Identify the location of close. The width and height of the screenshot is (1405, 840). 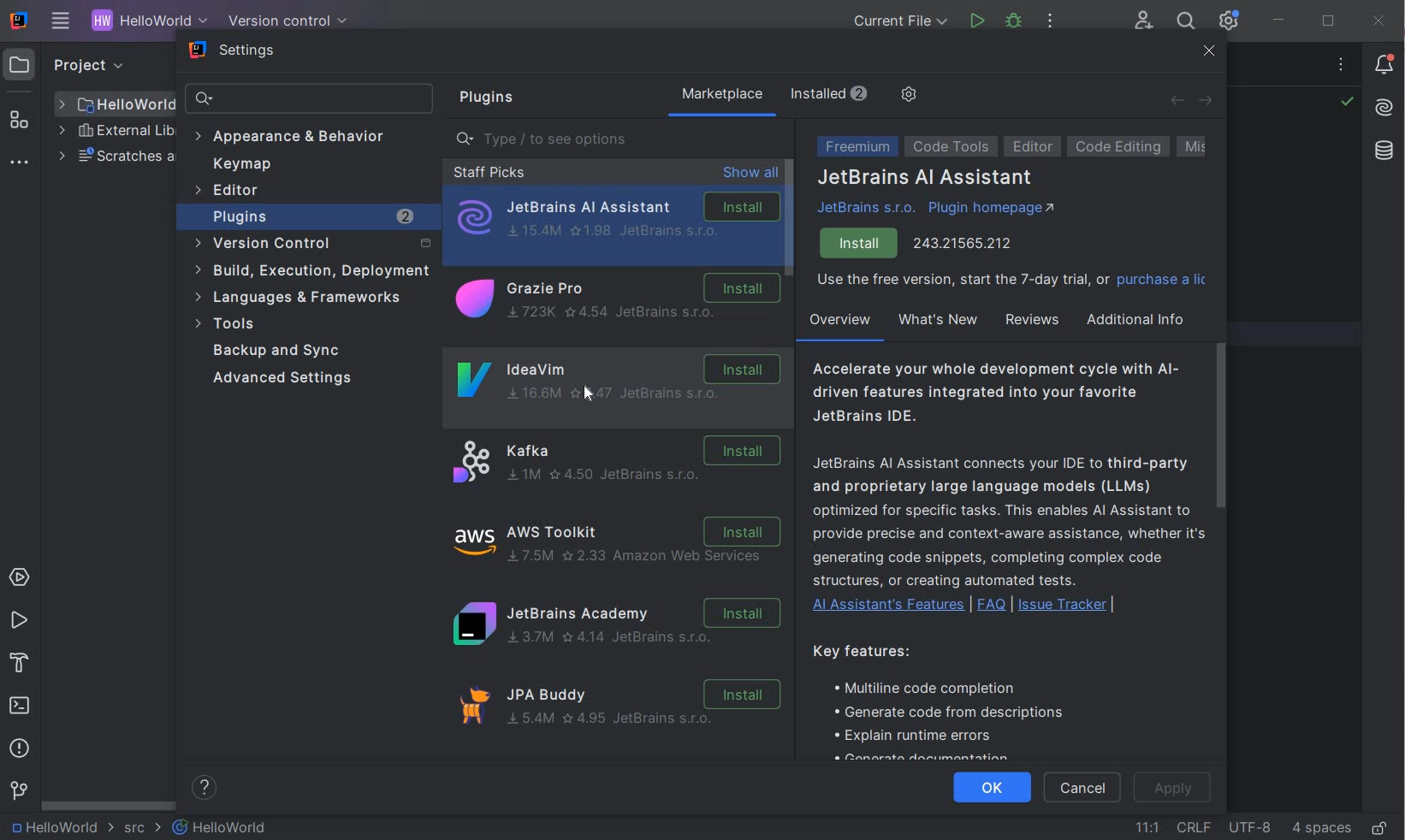
(1210, 53).